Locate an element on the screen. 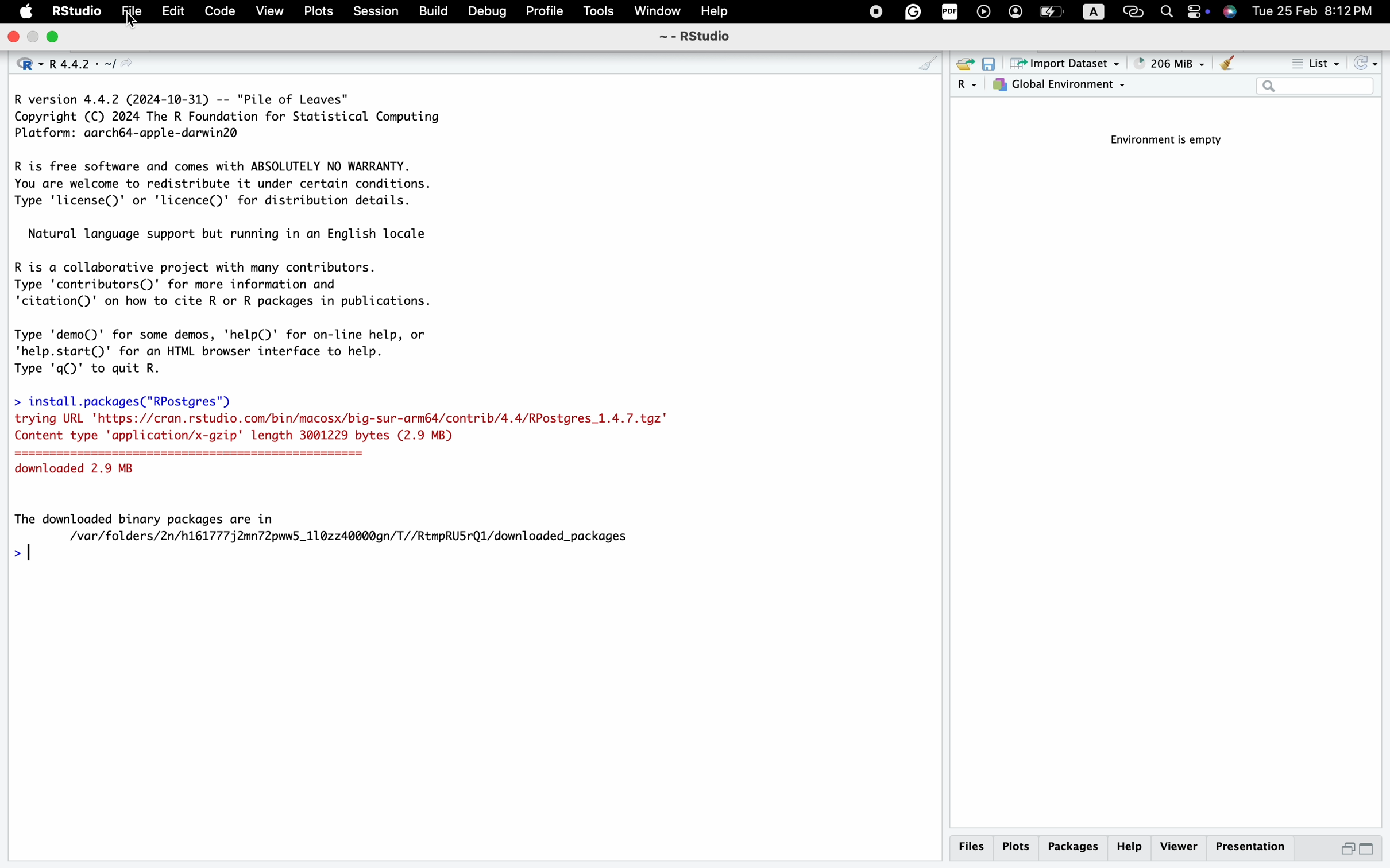 The image size is (1390, 868). clear objects from the workspace is located at coordinates (1226, 64).